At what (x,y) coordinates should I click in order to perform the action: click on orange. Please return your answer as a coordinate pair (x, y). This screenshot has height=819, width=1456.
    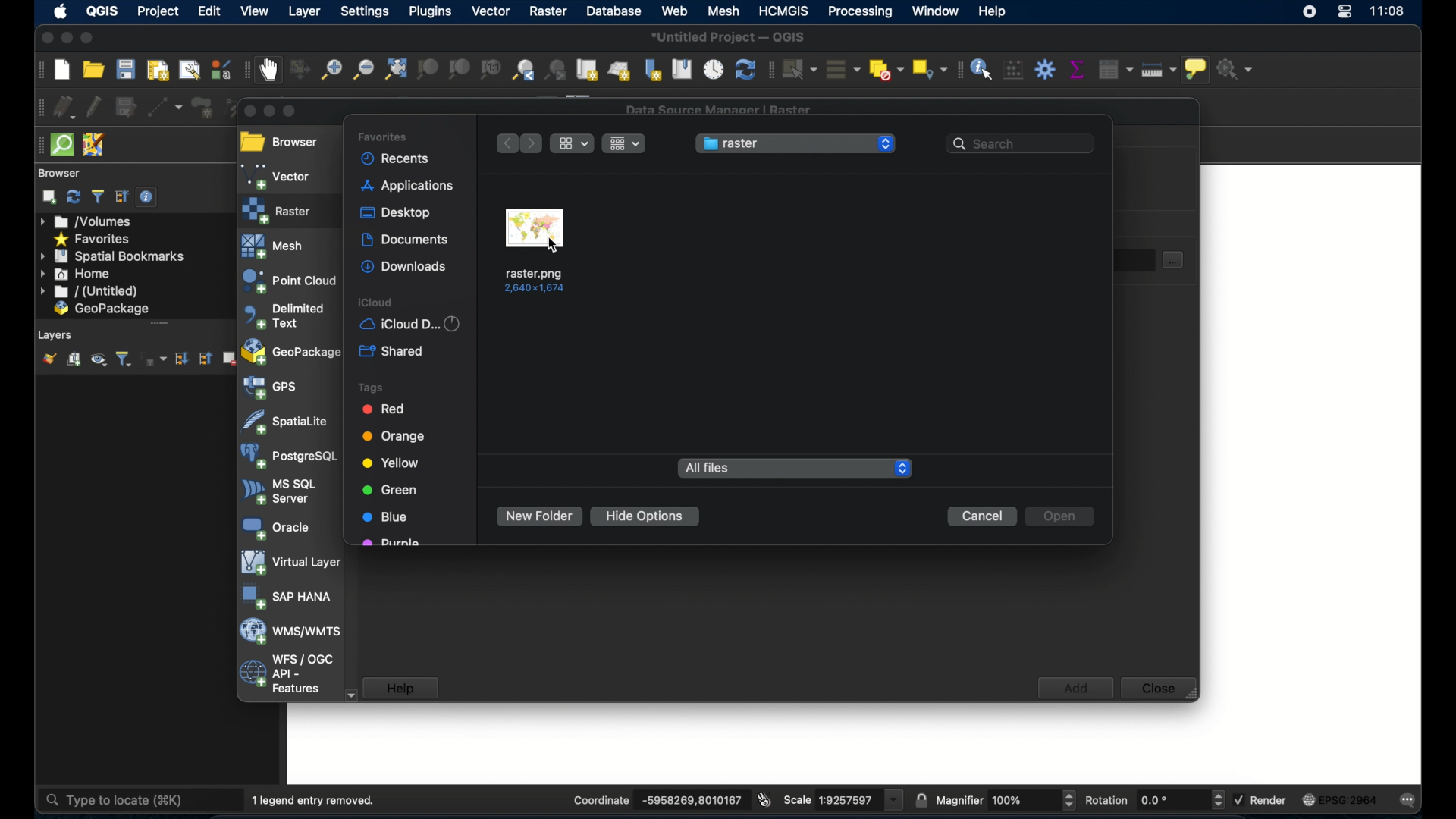
    Looking at the image, I should click on (397, 437).